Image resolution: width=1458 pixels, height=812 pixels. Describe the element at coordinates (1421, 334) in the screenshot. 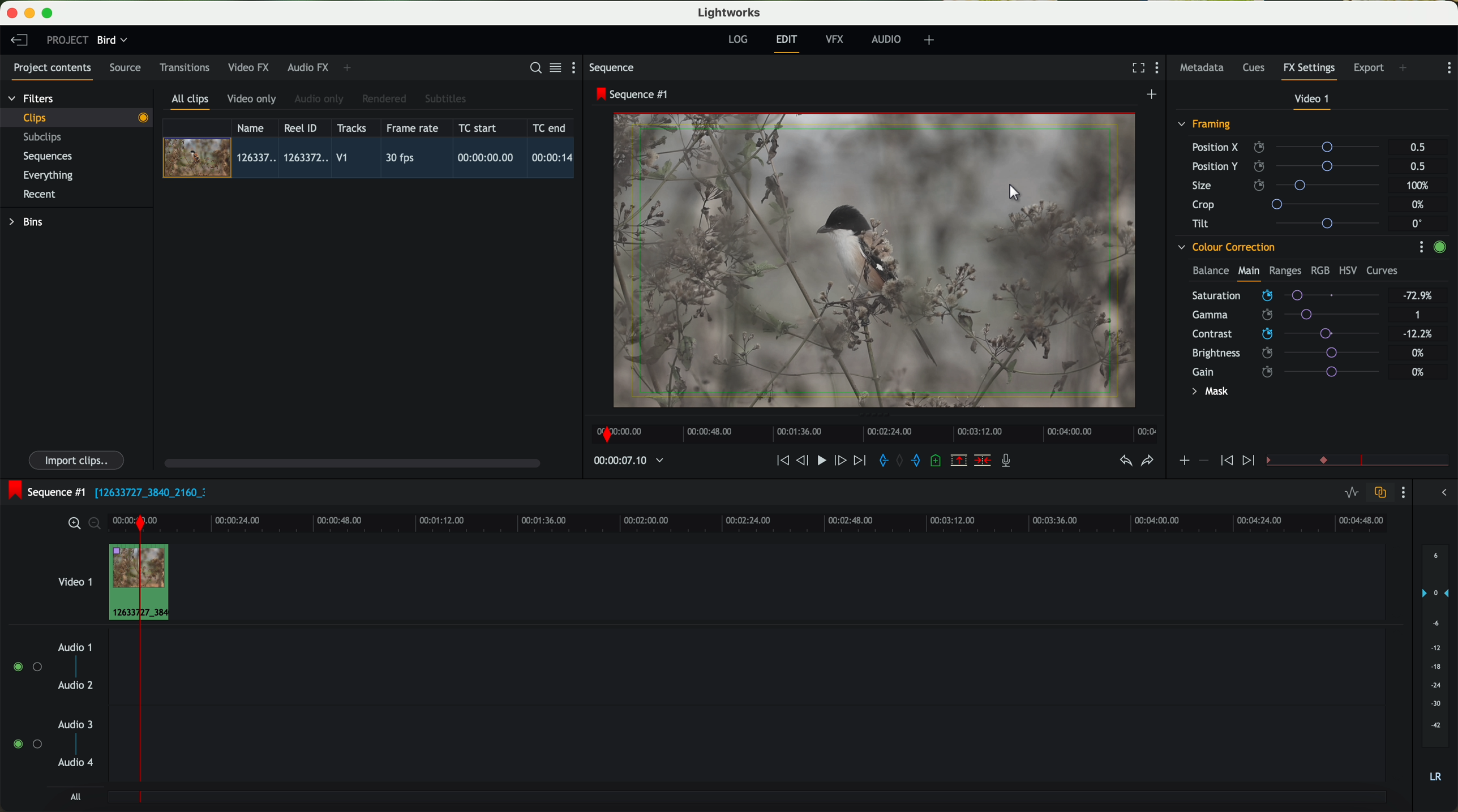

I see `40.1%` at that location.